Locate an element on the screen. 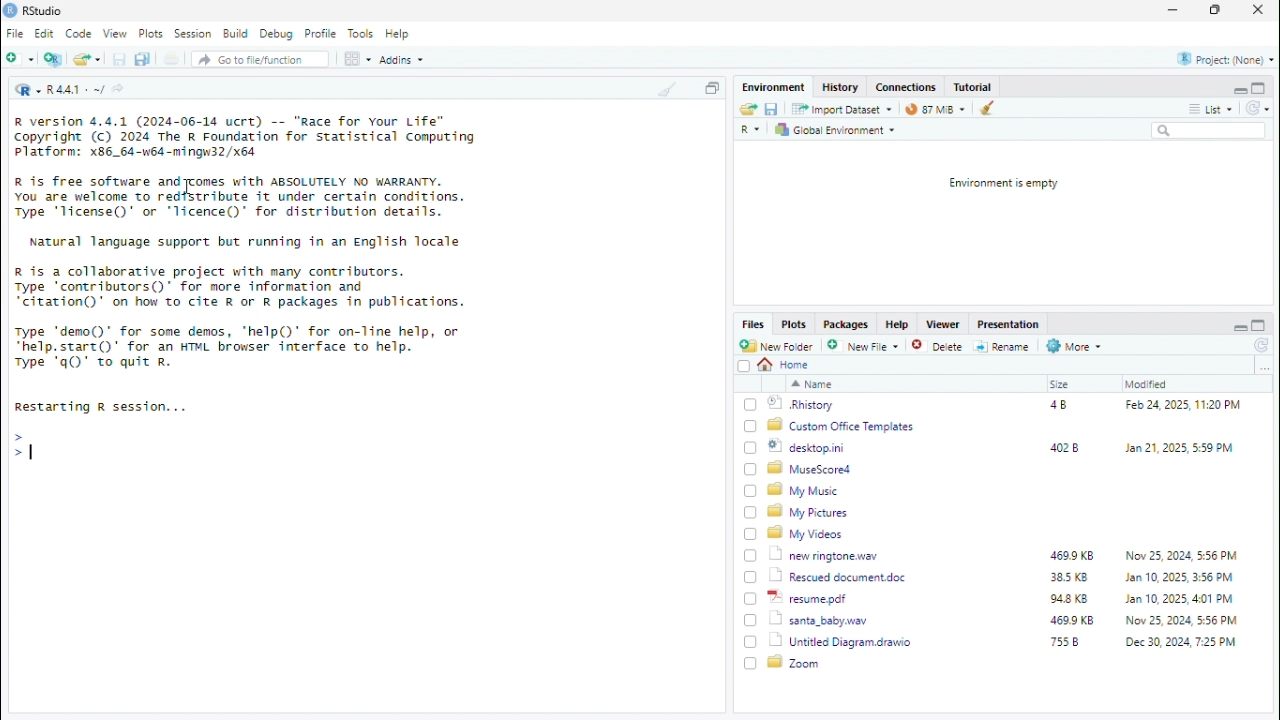 The width and height of the screenshot is (1280, 720). R 4.4.1 ~/ is located at coordinates (76, 91).